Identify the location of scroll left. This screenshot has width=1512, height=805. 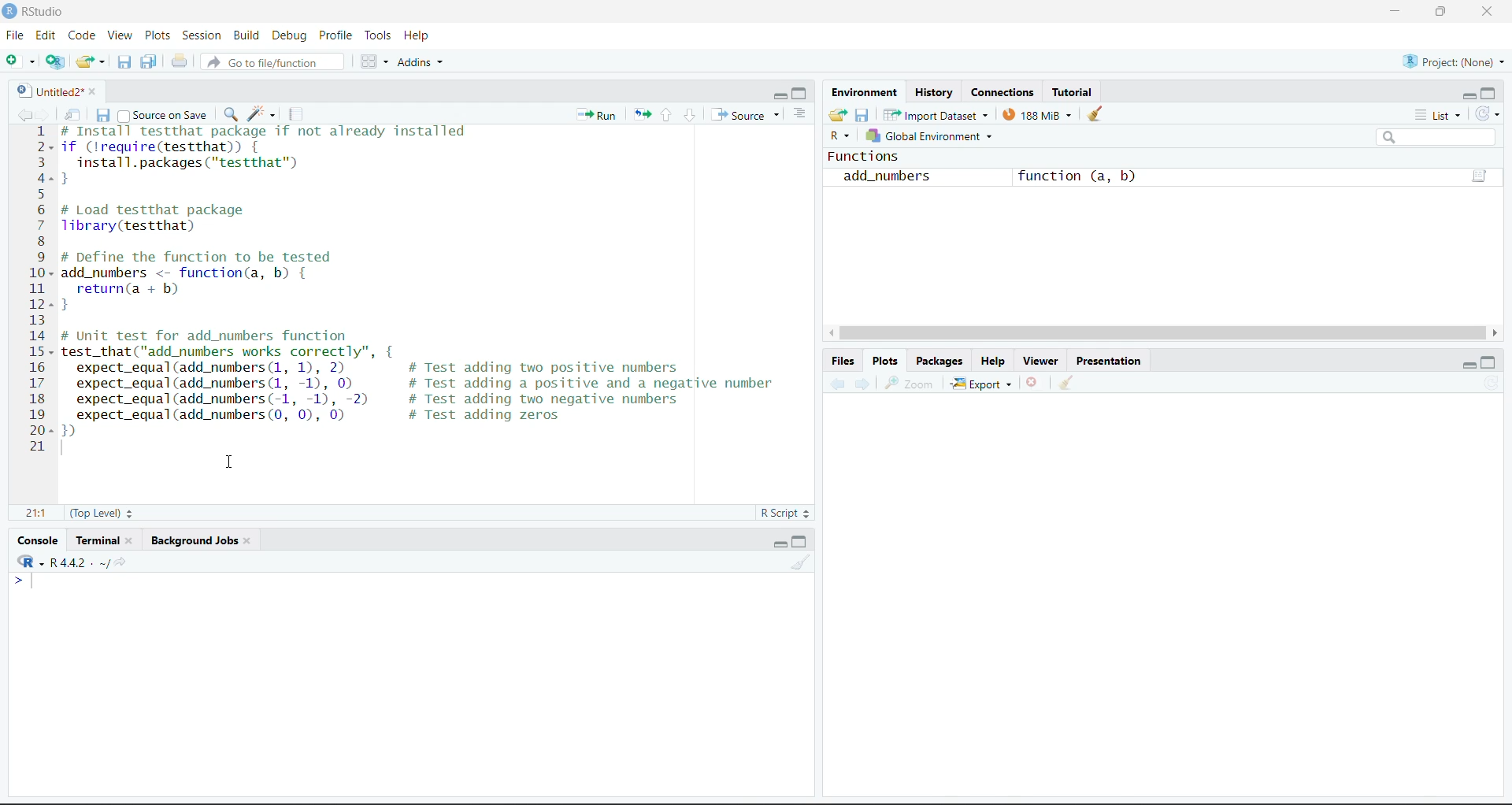
(831, 332).